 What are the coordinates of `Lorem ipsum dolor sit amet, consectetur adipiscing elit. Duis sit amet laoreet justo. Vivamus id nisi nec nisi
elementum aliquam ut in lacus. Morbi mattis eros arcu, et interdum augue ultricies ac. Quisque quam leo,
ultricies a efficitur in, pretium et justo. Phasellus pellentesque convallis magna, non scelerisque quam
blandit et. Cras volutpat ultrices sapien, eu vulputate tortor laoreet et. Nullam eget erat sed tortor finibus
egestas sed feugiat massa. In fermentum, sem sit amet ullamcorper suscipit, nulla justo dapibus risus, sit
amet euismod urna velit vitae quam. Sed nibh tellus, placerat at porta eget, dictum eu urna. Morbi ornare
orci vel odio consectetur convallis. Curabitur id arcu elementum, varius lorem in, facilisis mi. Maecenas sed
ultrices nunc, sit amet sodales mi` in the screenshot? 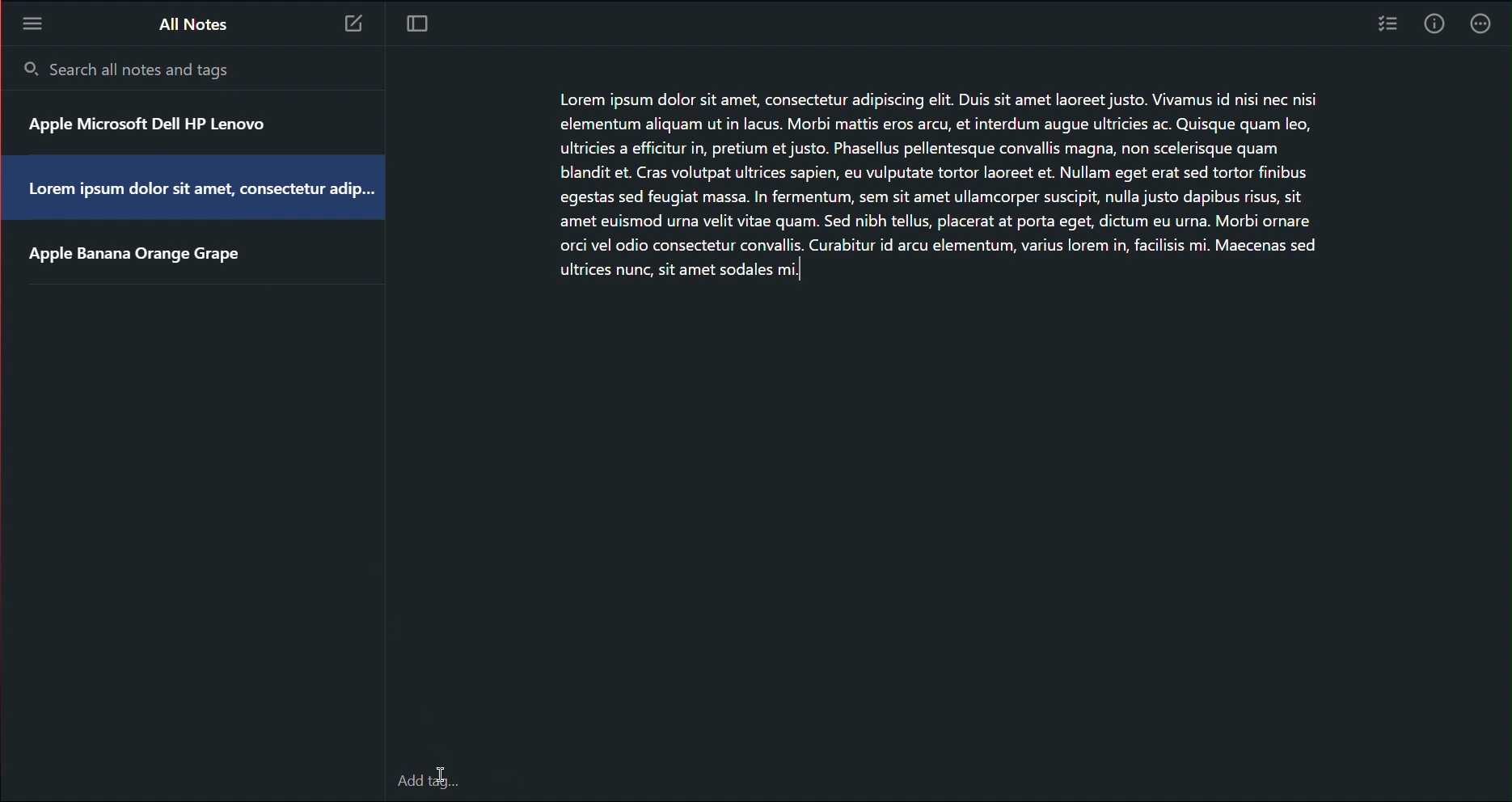 It's located at (956, 192).